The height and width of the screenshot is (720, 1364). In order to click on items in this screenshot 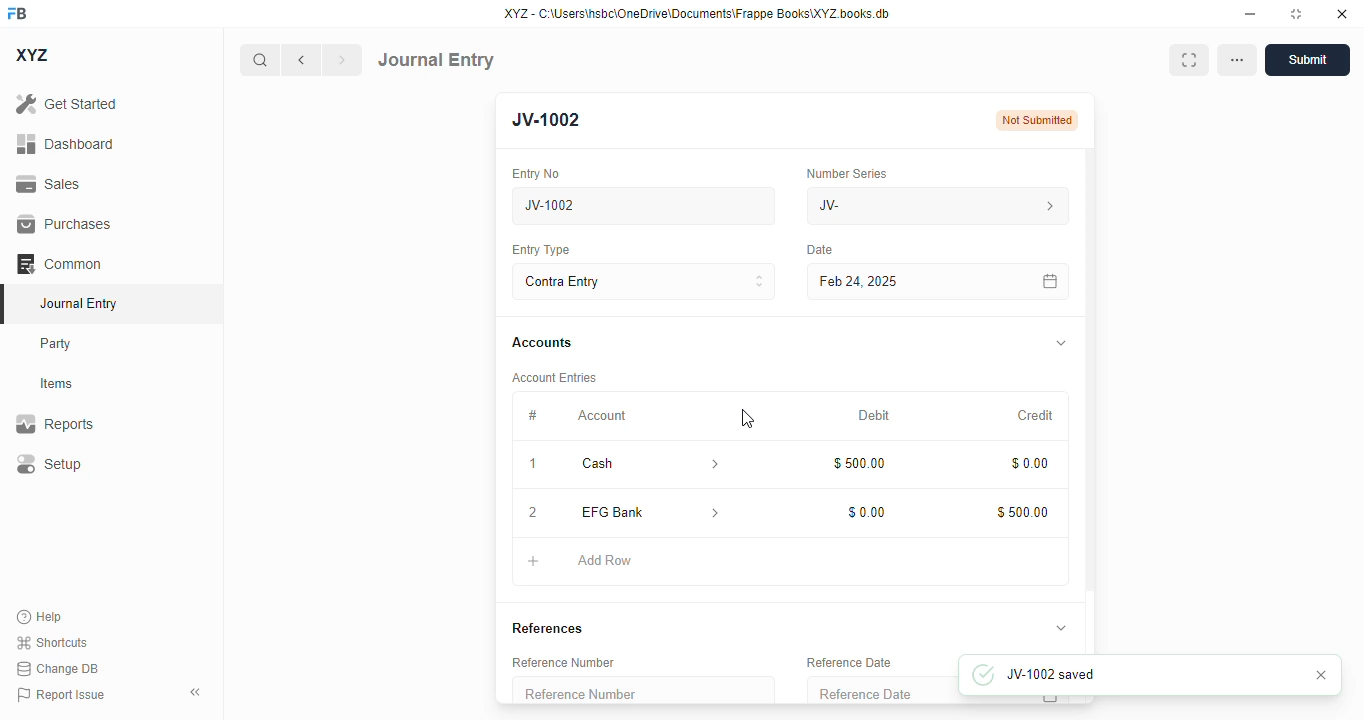, I will do `click(57, 384)`.